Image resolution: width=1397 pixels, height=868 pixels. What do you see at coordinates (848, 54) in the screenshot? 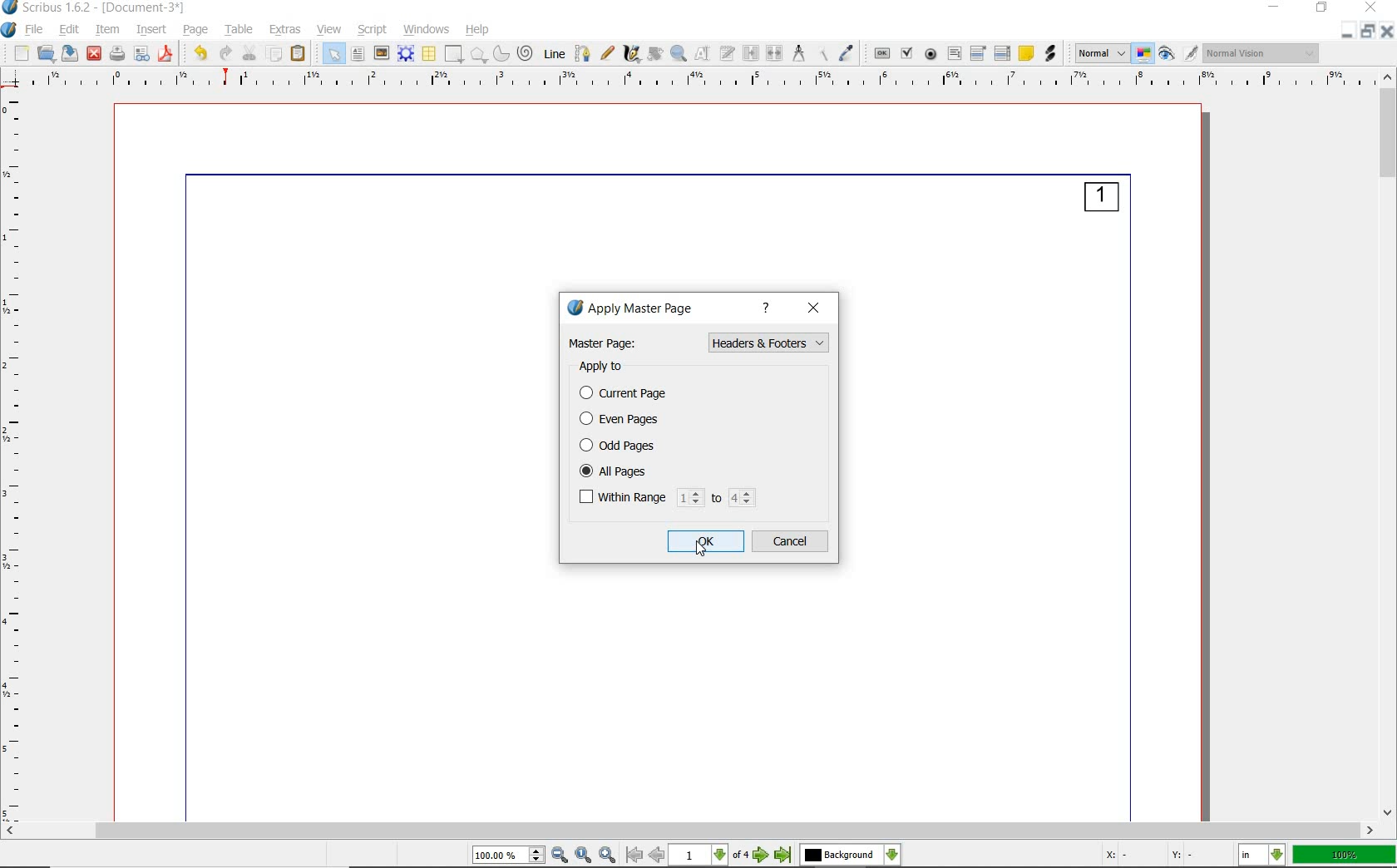
I see `eye dropper` at bounding box center [848, 54].